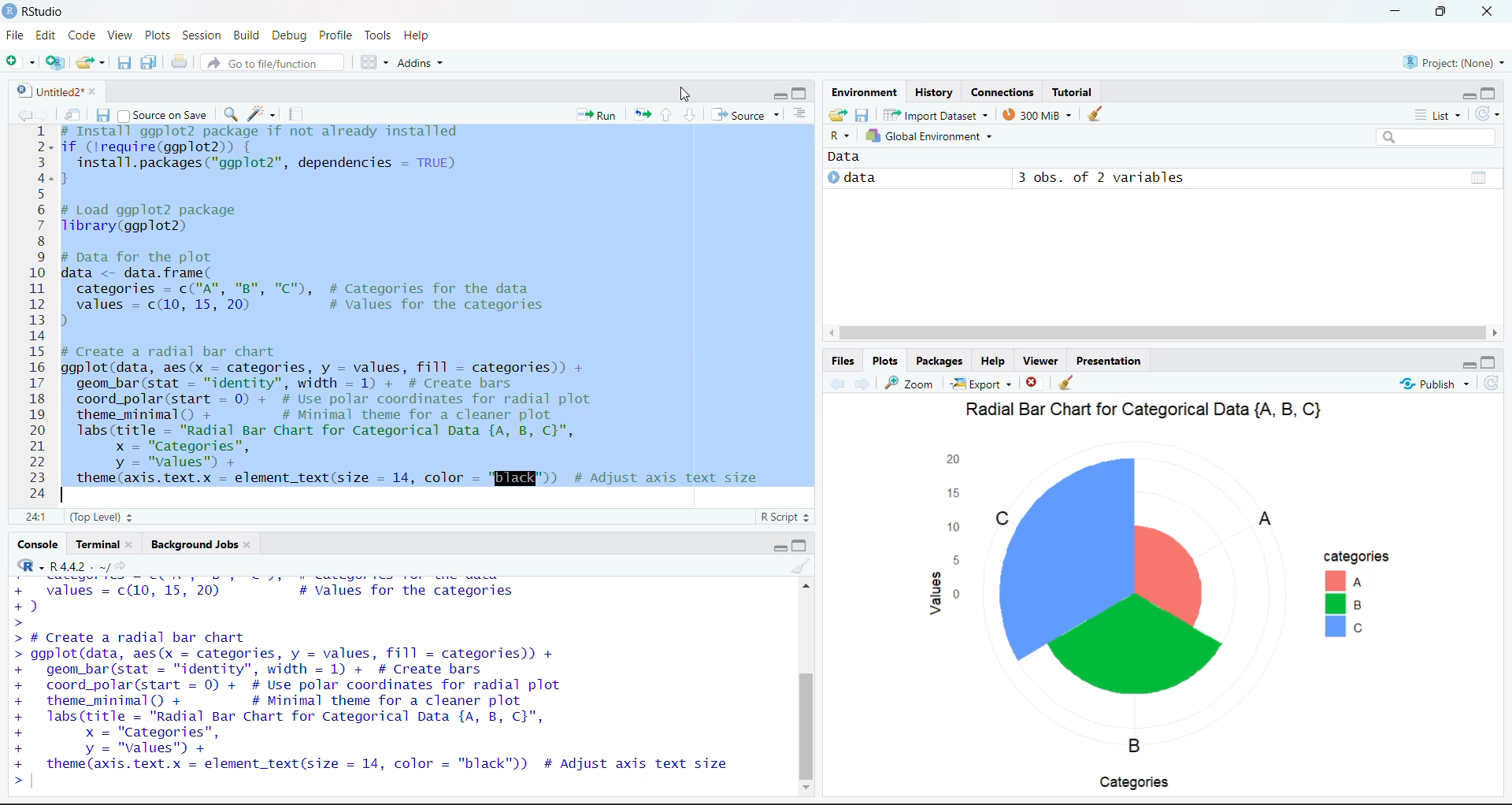  Describe the element at coordinates (1489, 116) in the screenshot. I see `refresh` at that location.